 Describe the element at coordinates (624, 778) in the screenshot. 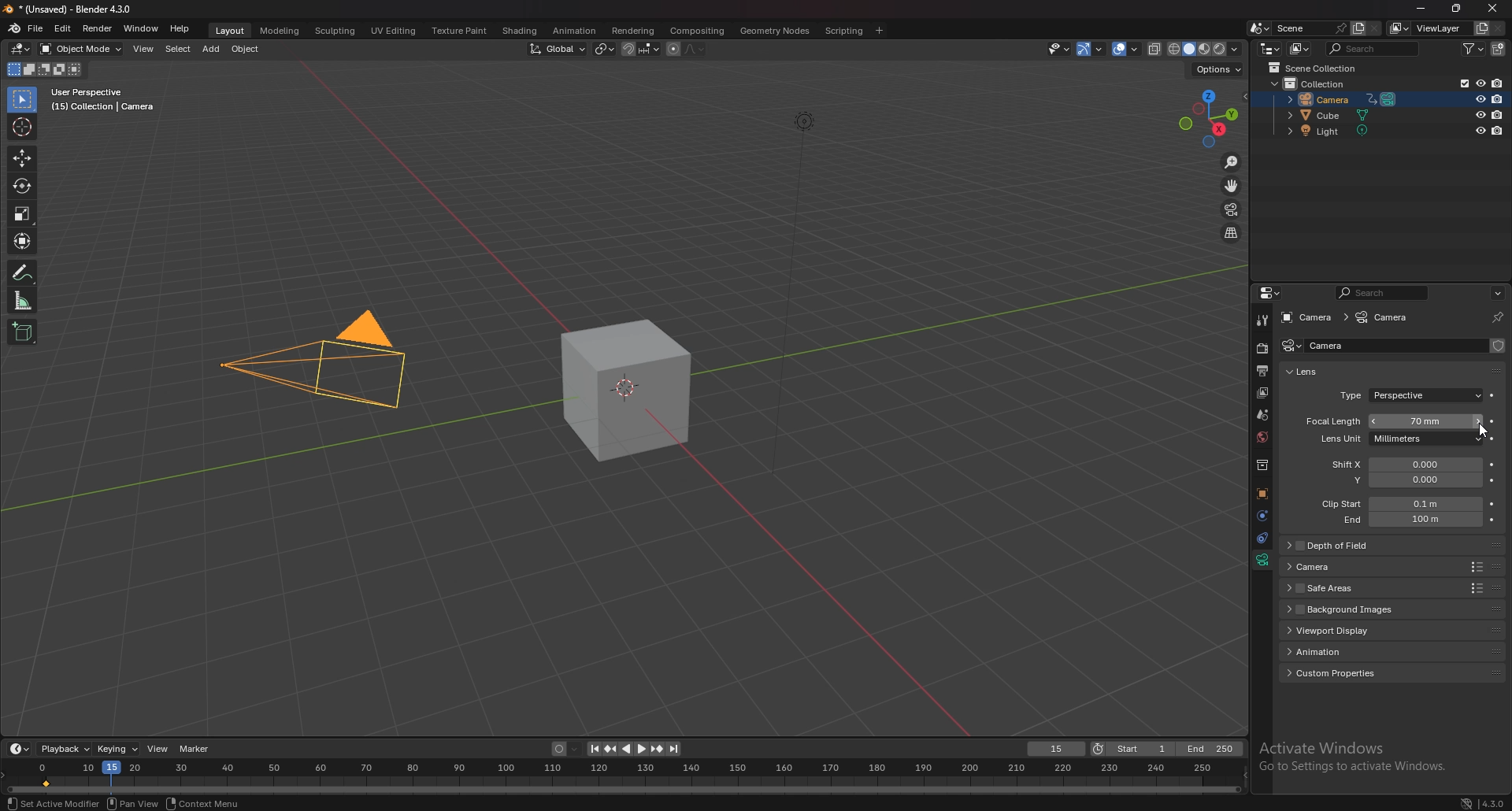

I see `seek` at that location.